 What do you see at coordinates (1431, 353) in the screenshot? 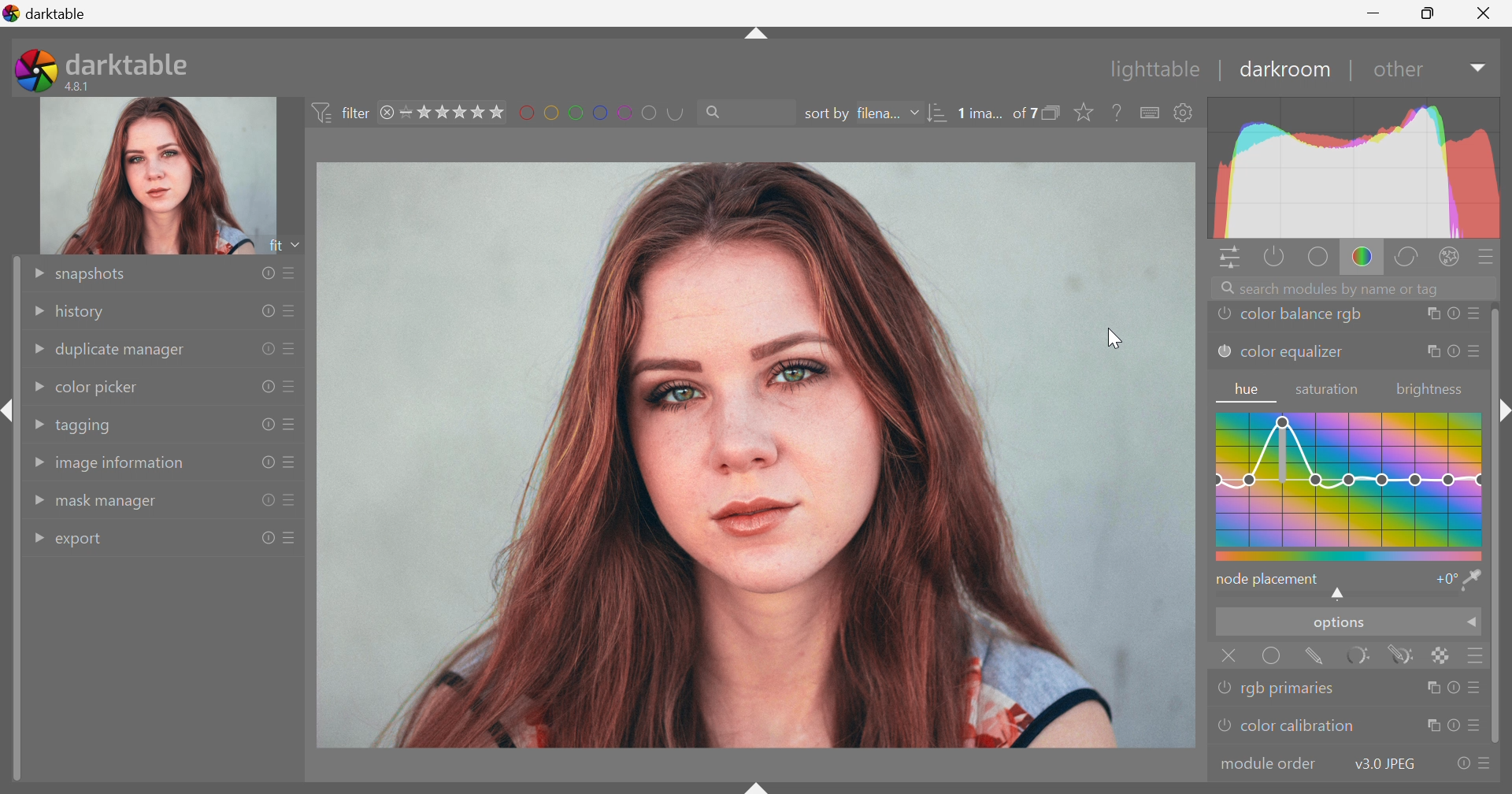
I see `multiple instance actions` at bounding box center [1431, 353].